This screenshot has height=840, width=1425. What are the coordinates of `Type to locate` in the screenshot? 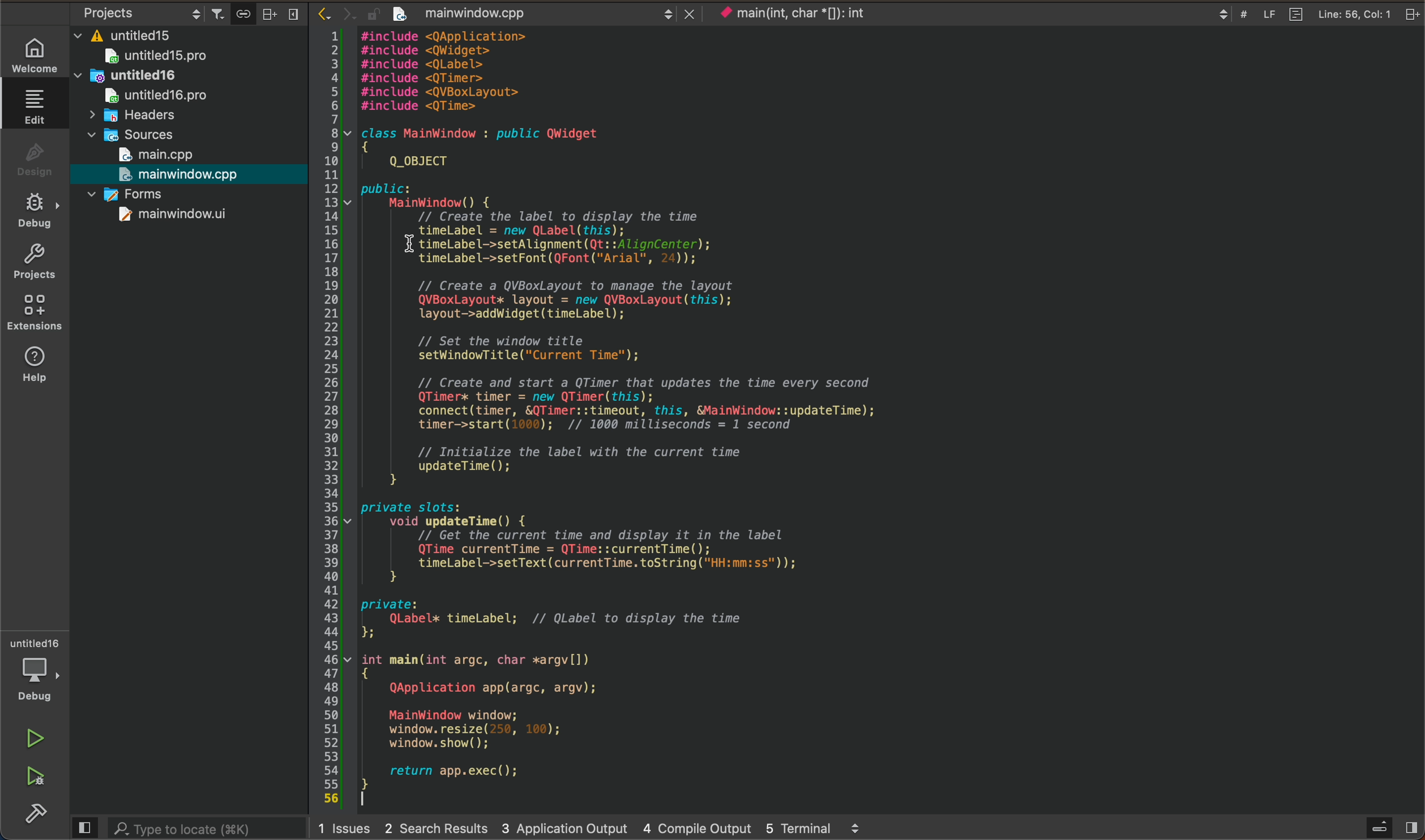 It's located at (182, 828).